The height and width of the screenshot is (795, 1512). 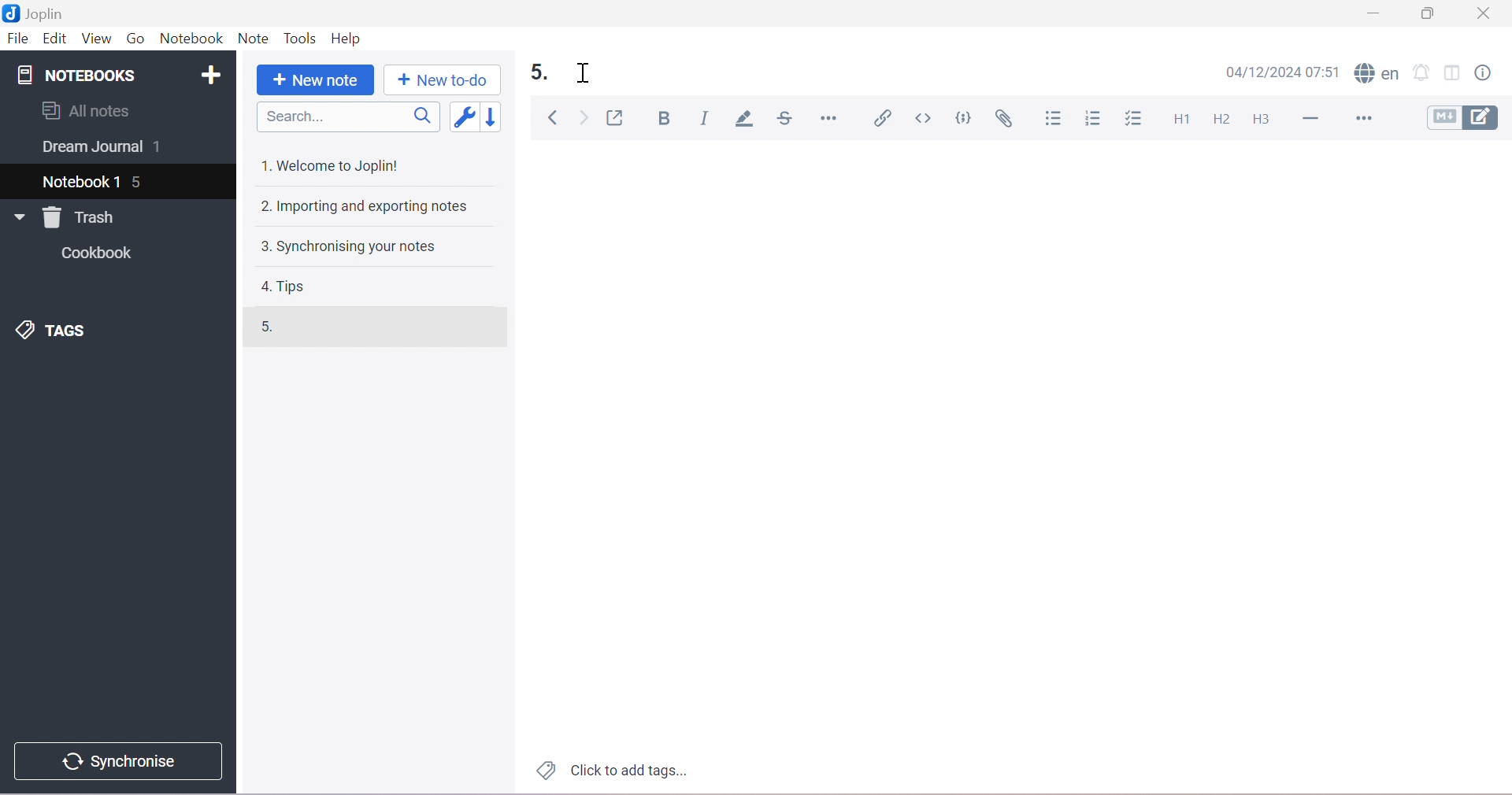 I want to click on Horizontal Line, so click(x=1314, y=119).